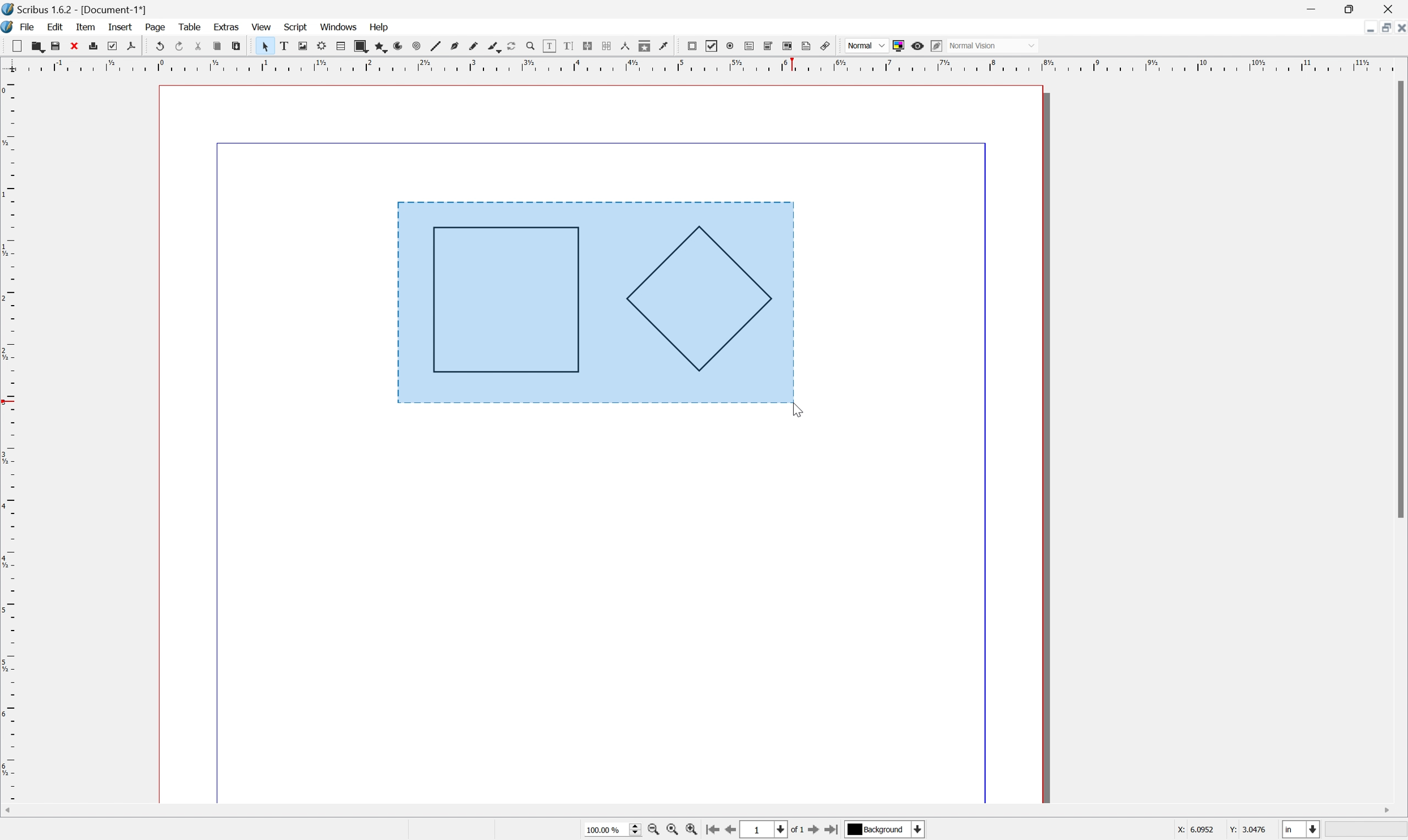 This screenshot has width=1408, height=840. What do you see at coordinates (917, 46) in the screenshot?
I see `Preview mode` at bounding box center [917, 46].